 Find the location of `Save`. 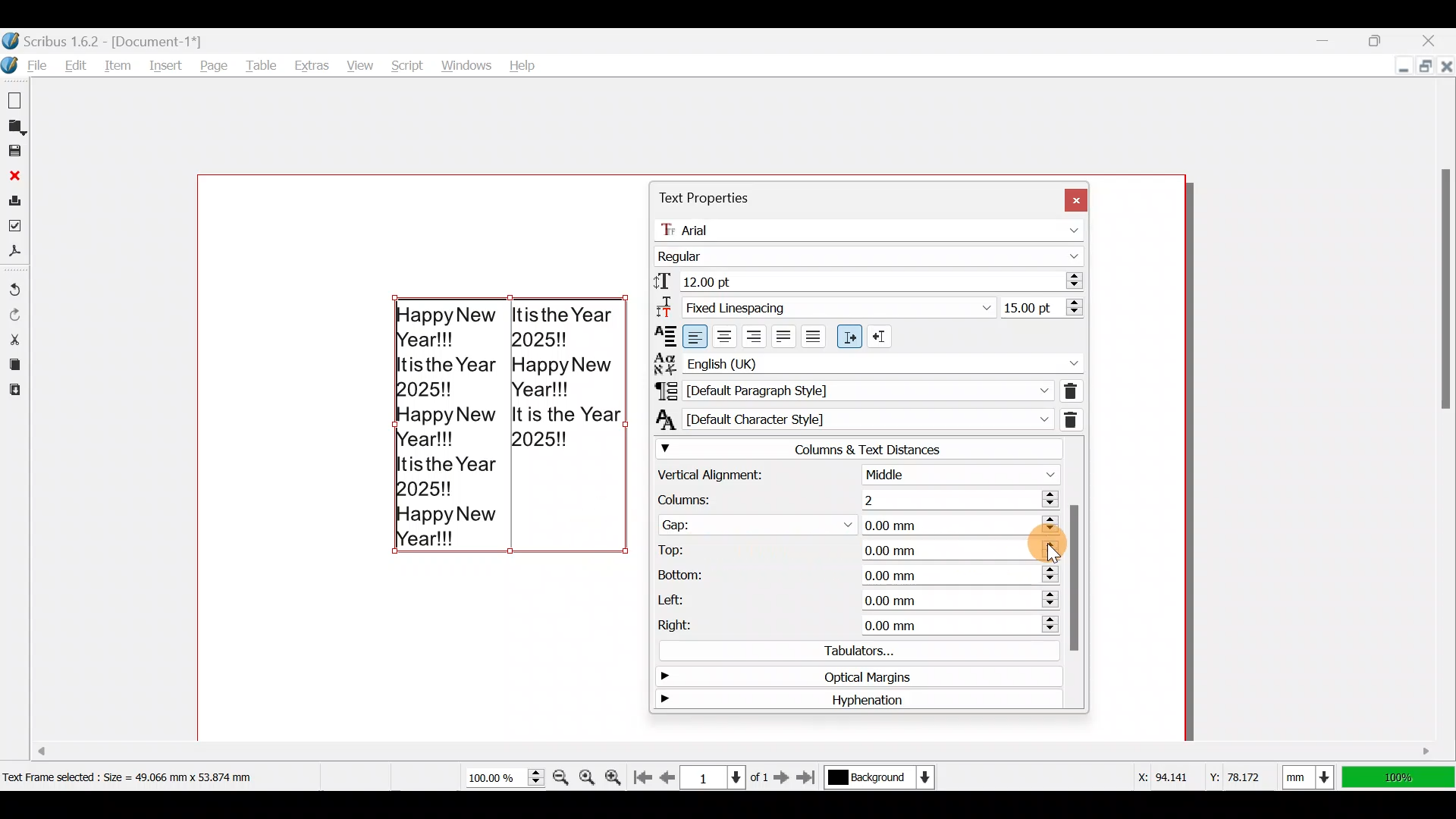

Save is located at coordinates (17, 152).